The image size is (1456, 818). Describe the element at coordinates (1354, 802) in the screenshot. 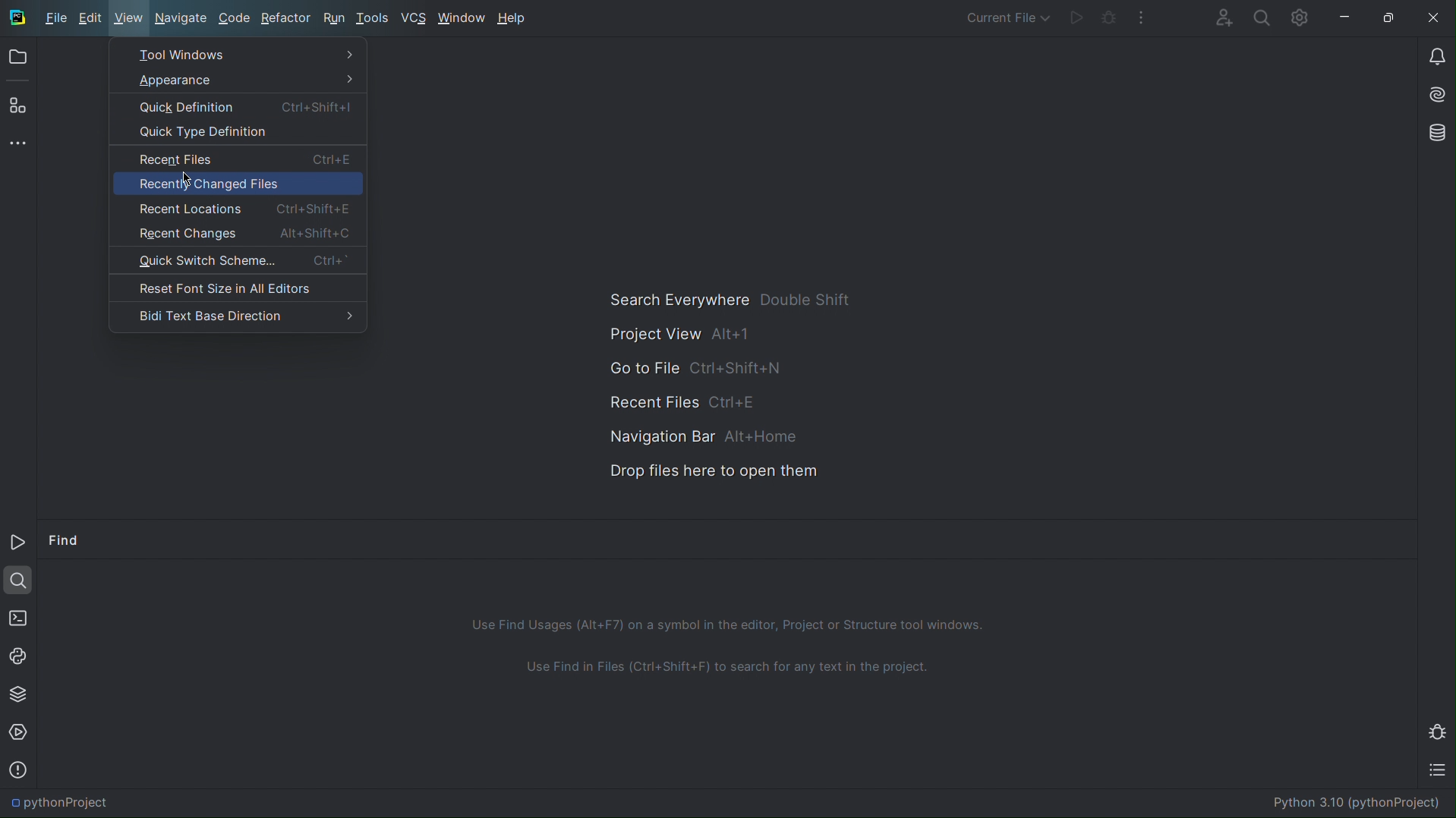

I see `Python 3.10 (PythonReoject)` at that location.